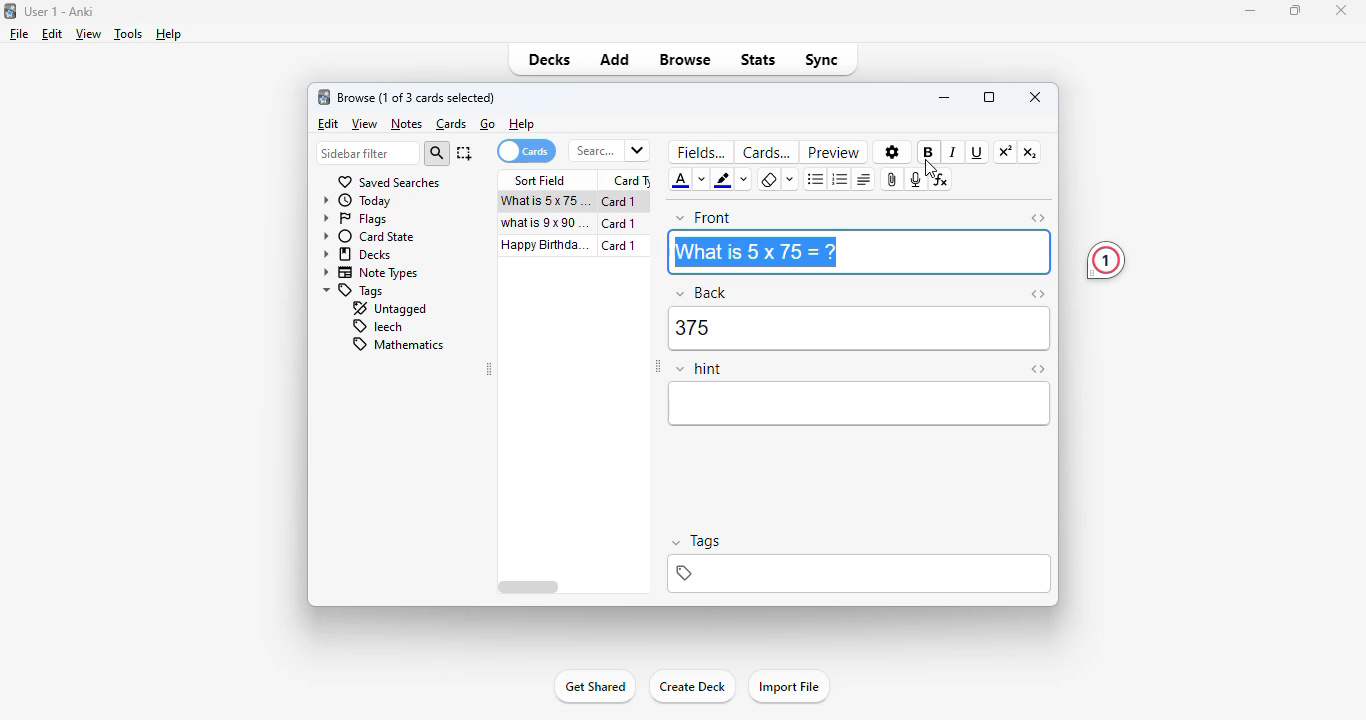  I want to click on today, so click(356, 201).